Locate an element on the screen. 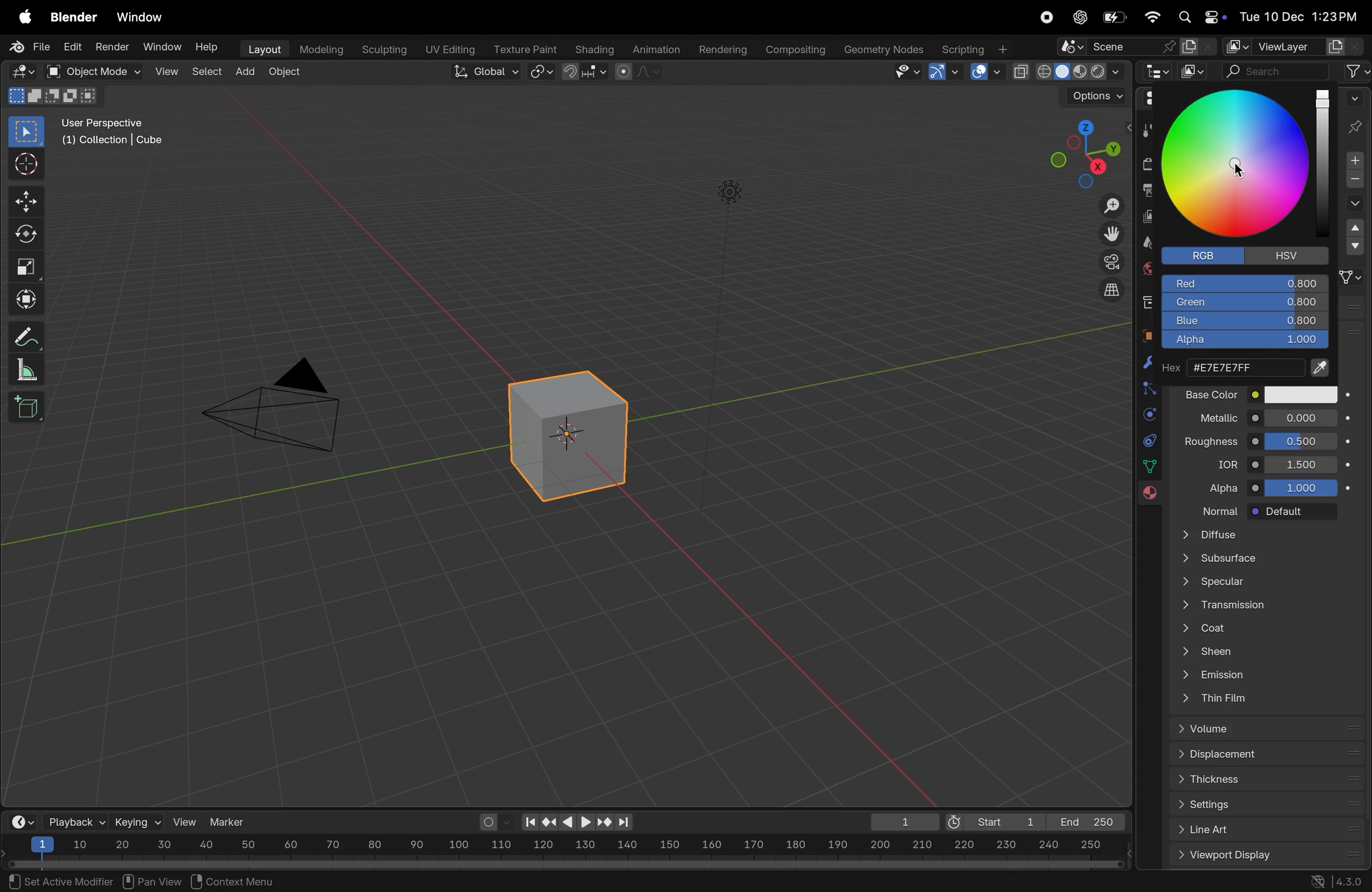 Image resolution: width=1372 pixels, height=892 pixels. view point is located at coordinates (1078, 153).